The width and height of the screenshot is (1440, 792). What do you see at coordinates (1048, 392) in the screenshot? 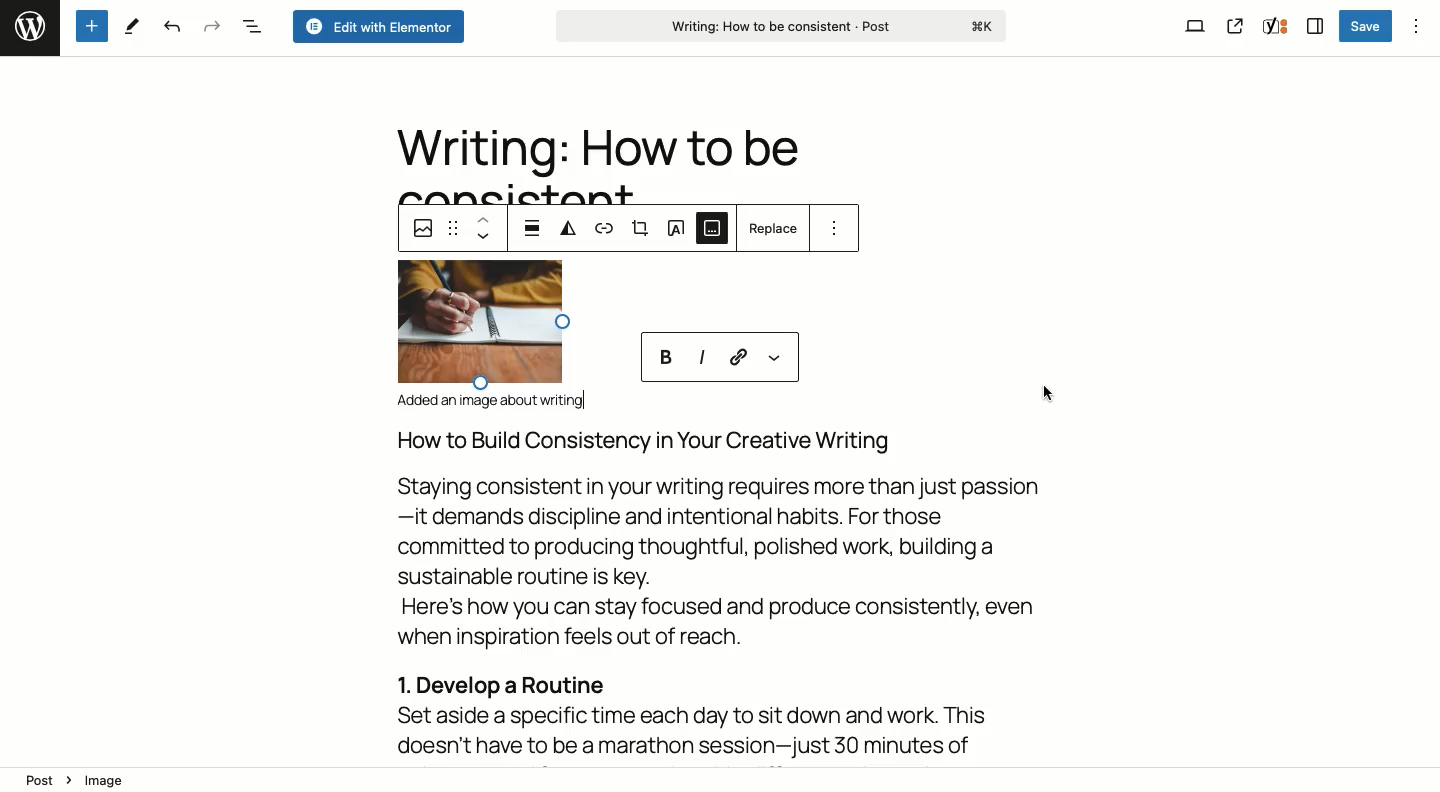
I see `cursor` at bounding box center [1048, 392].